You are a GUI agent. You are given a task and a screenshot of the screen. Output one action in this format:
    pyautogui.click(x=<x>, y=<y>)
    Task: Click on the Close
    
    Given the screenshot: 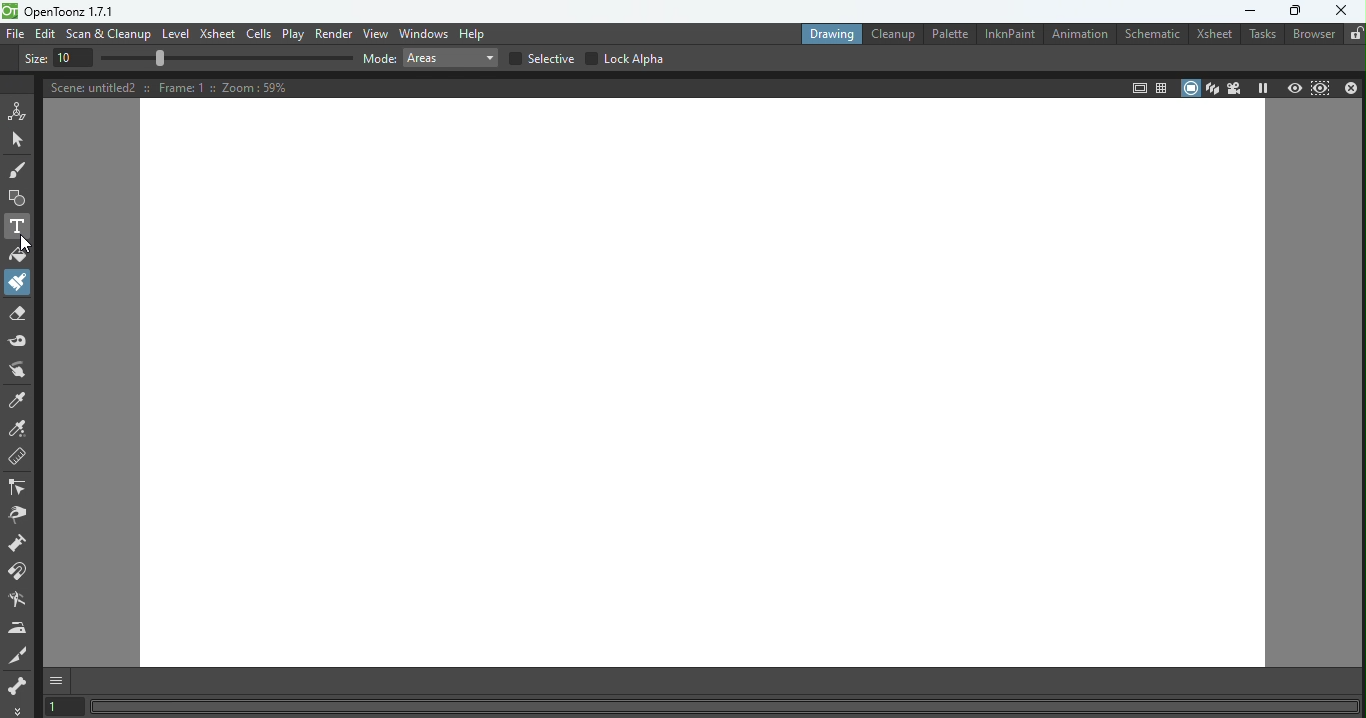 What is the action you would take?
    pyautogui.click(x=1342, y=14)
    